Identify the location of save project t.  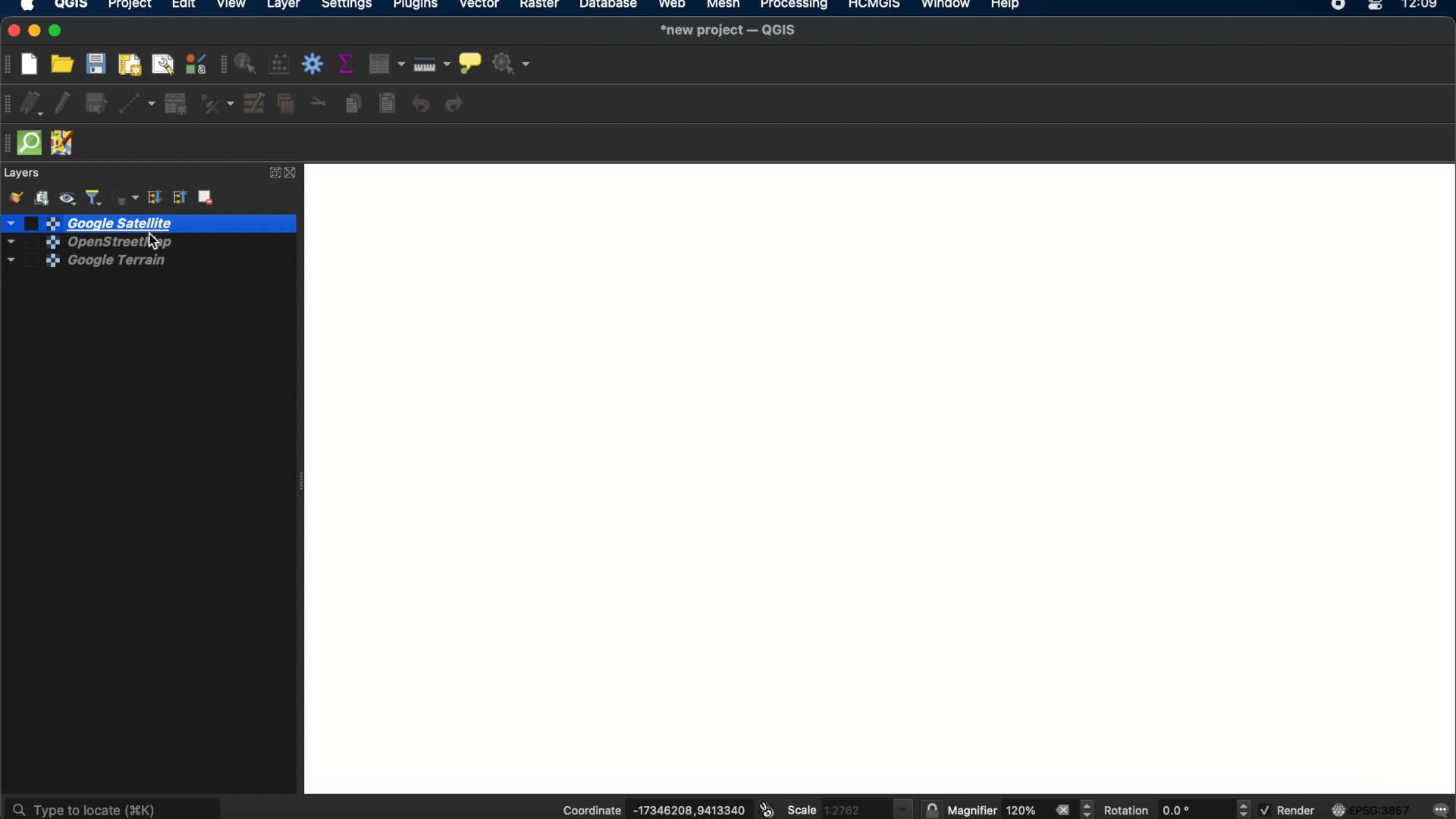
(97, 64).